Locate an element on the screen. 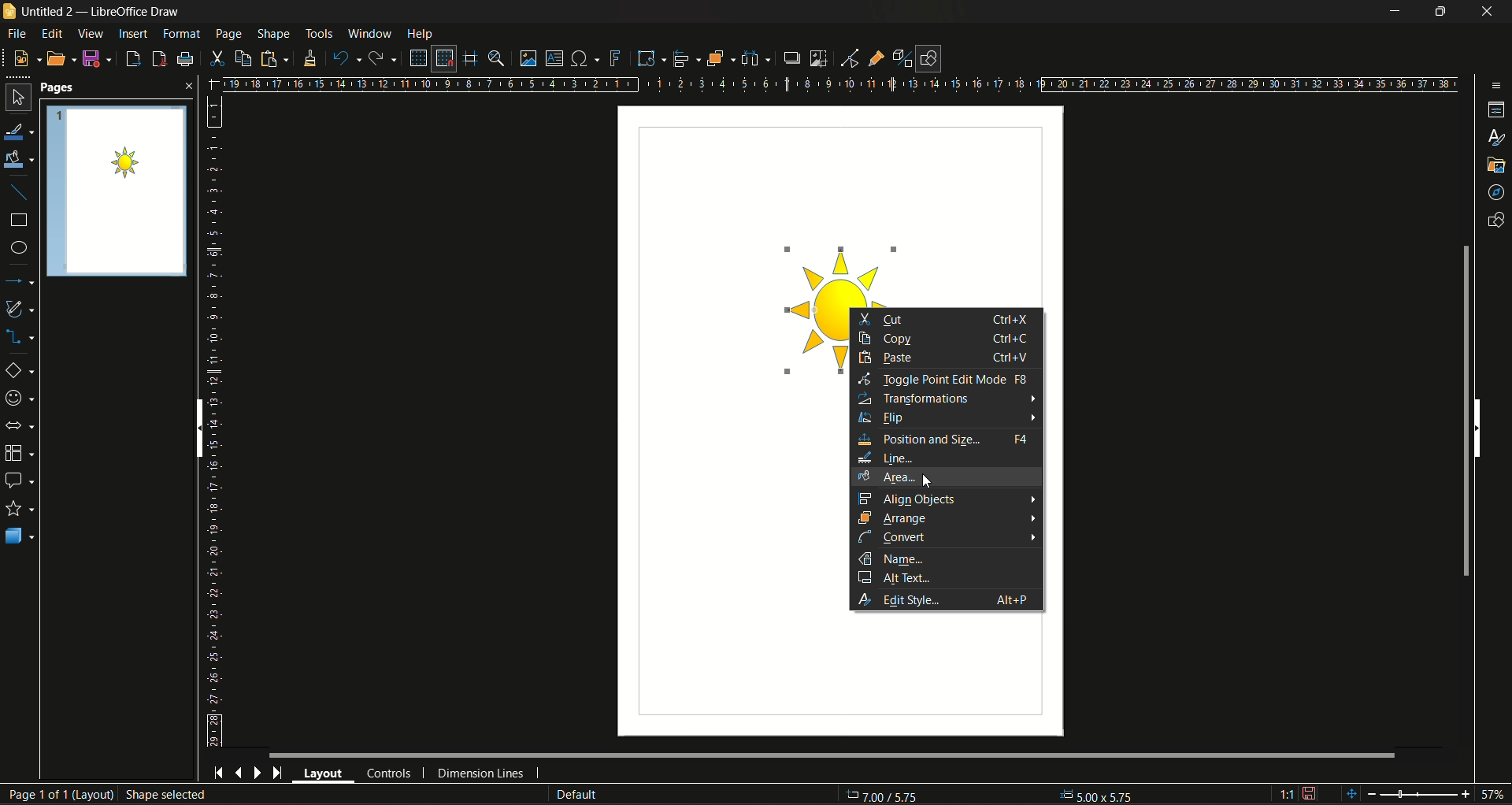  copy is located at coordinates (889, 339).